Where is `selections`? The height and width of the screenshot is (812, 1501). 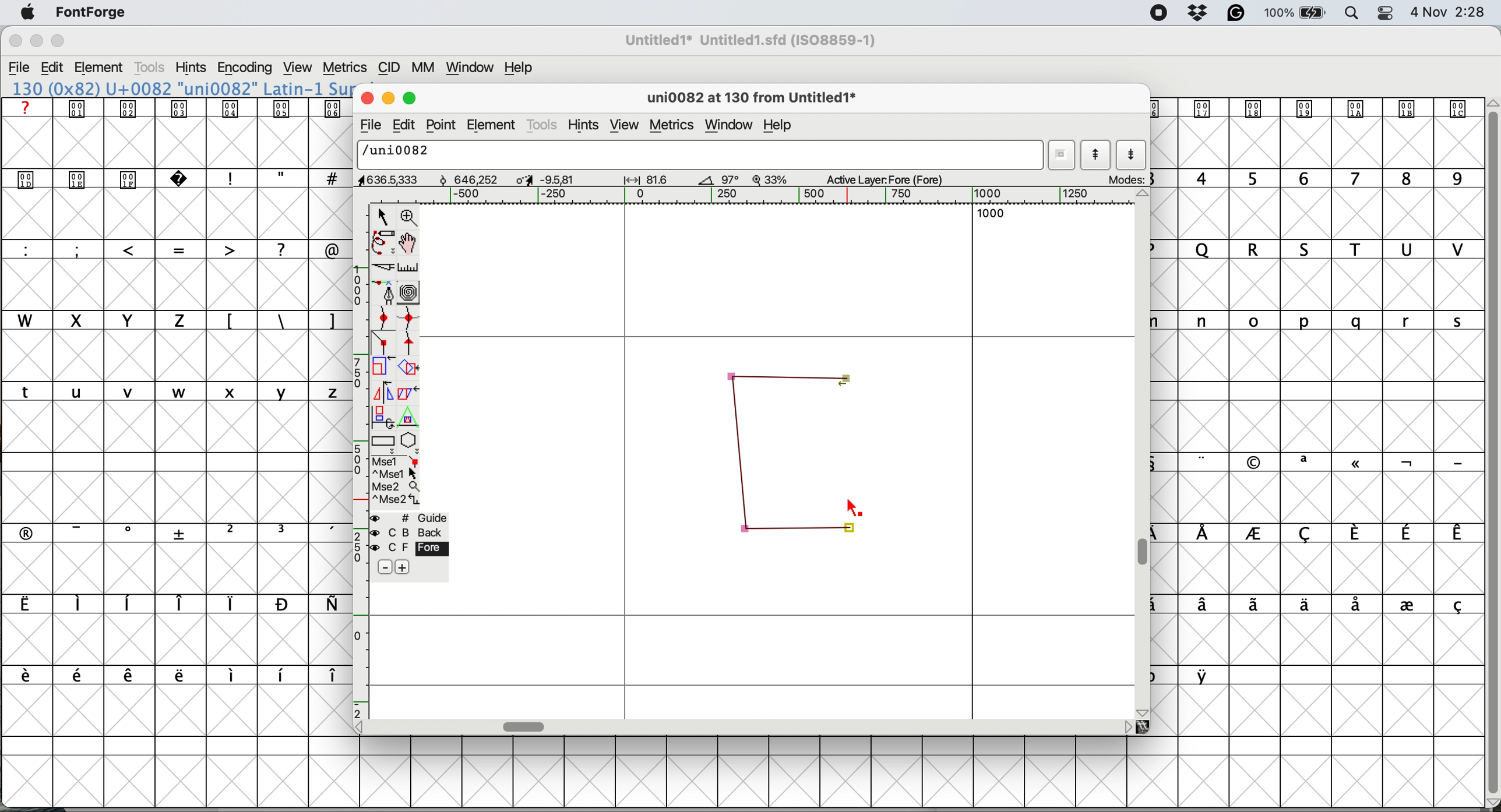
selections is located at coordinates (397, 482).